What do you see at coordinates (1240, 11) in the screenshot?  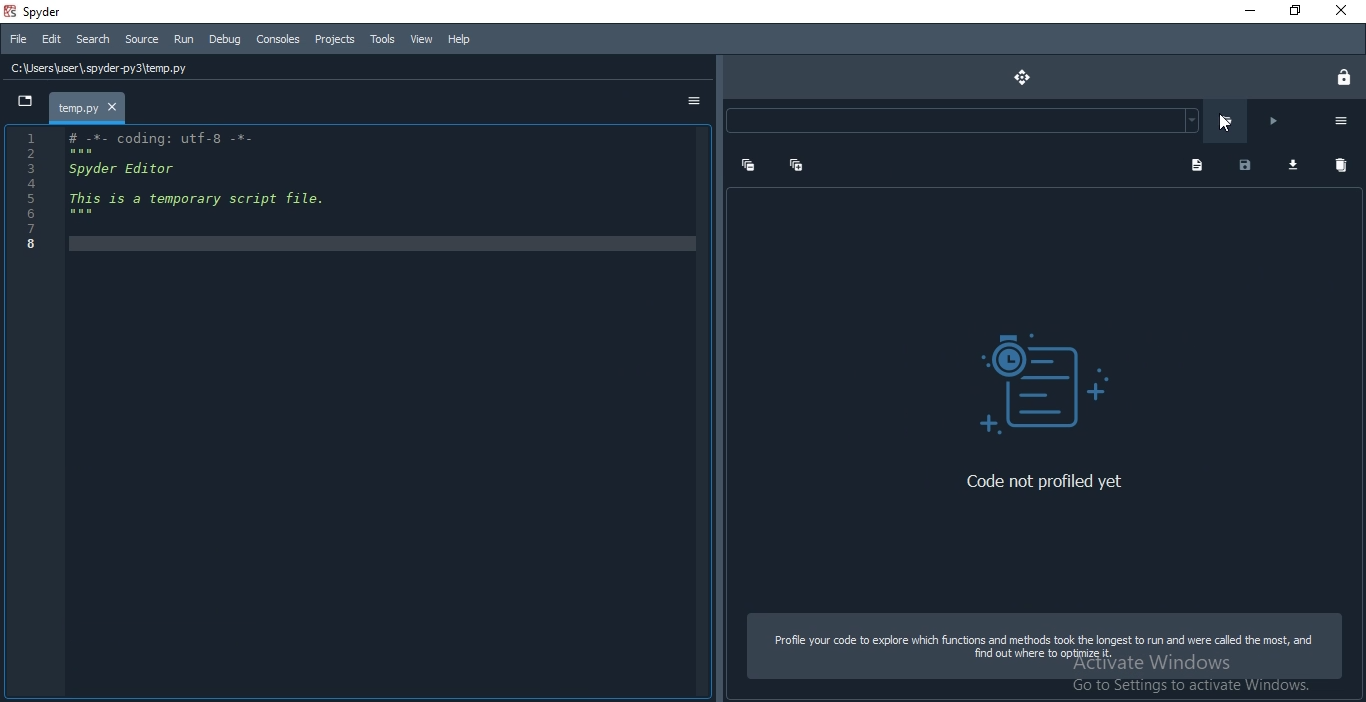 I see `Minimise` at bounding box center [1240, 11].